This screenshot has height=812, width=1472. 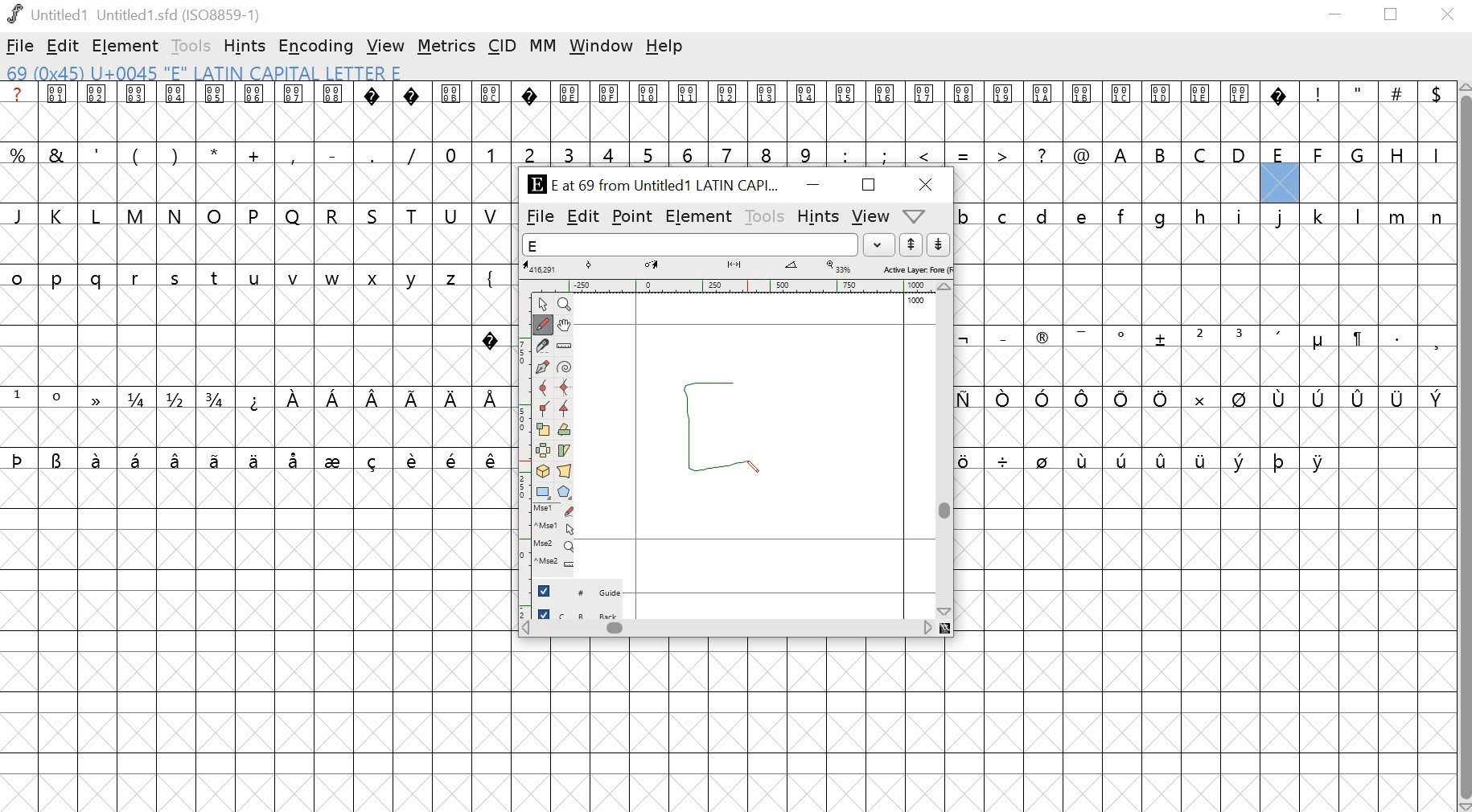 What do you see at coordinates (565, 388) in the screenshot?
I see `HV Curve` at bounding box center [565, 388].